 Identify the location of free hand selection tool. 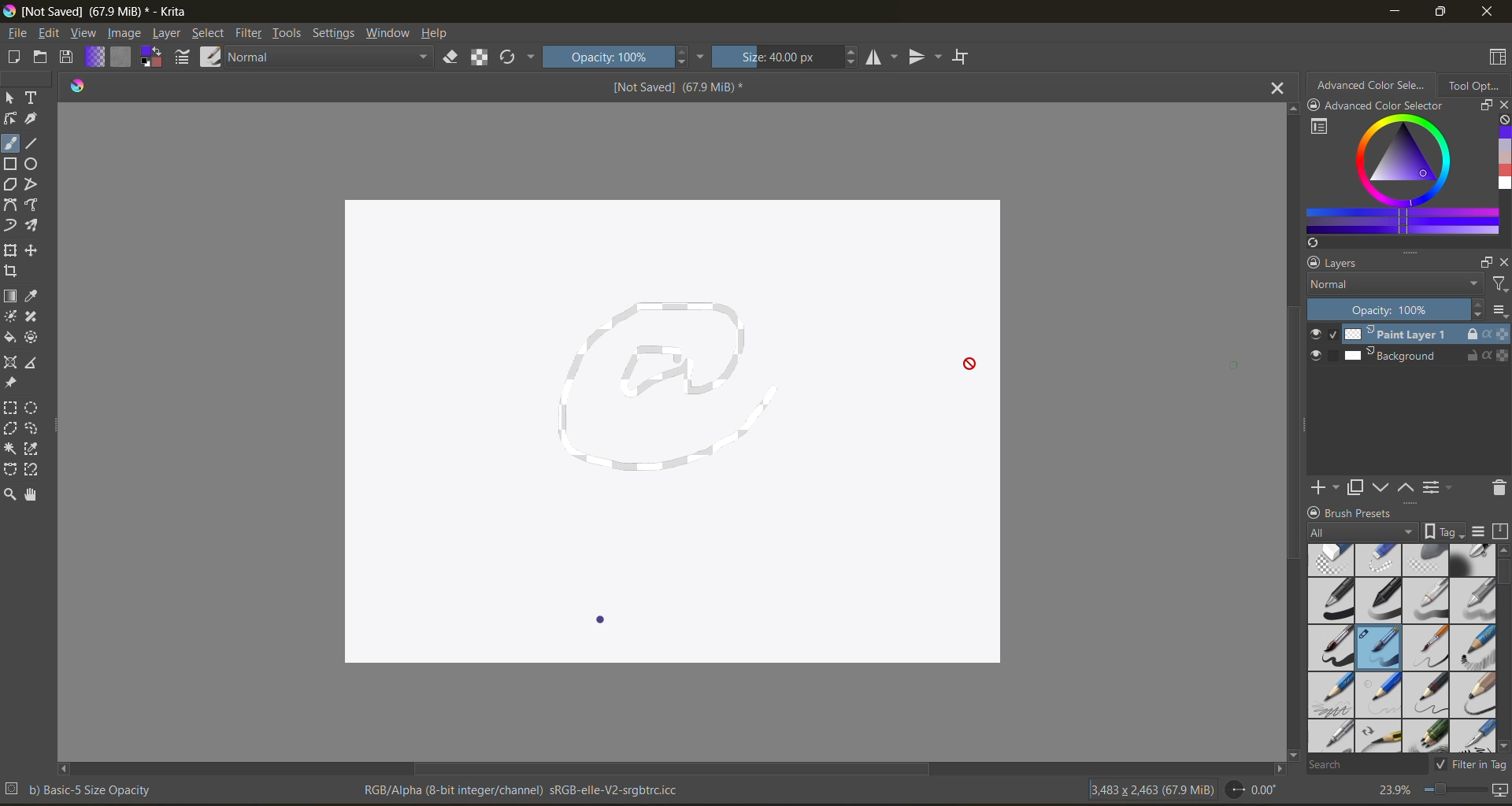
(32, 427).